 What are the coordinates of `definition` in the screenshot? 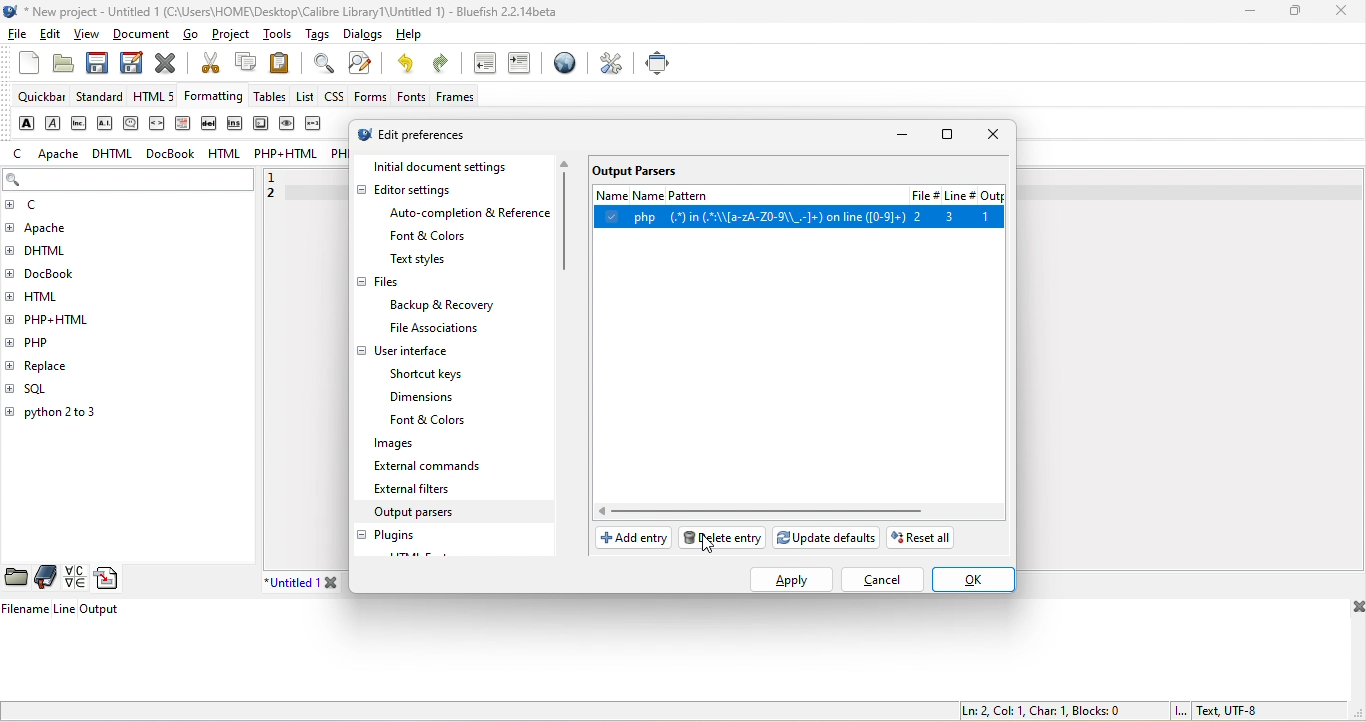 It's located at (187, 124).